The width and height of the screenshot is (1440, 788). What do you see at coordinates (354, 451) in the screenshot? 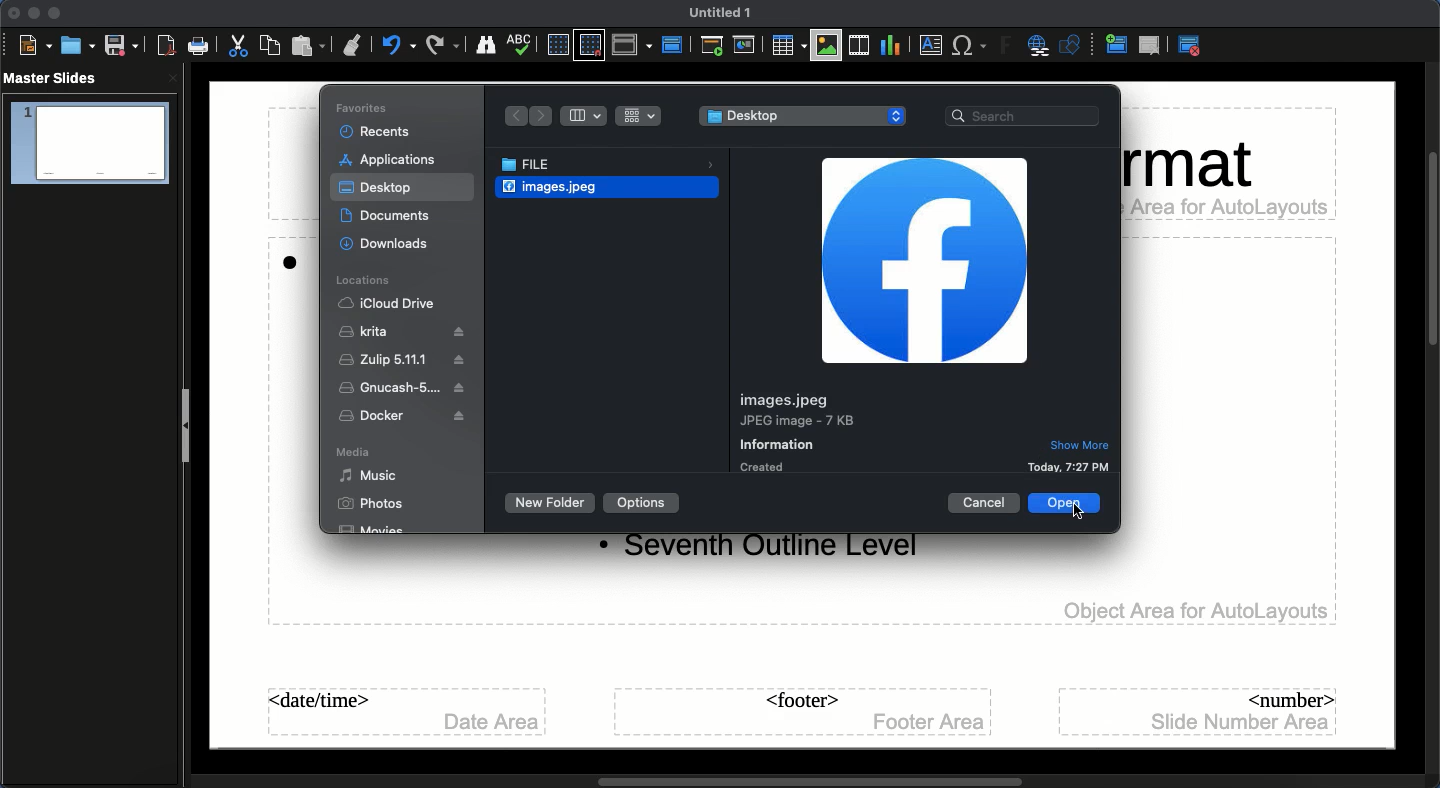
I see `Media` at bounding box center [354, 451].